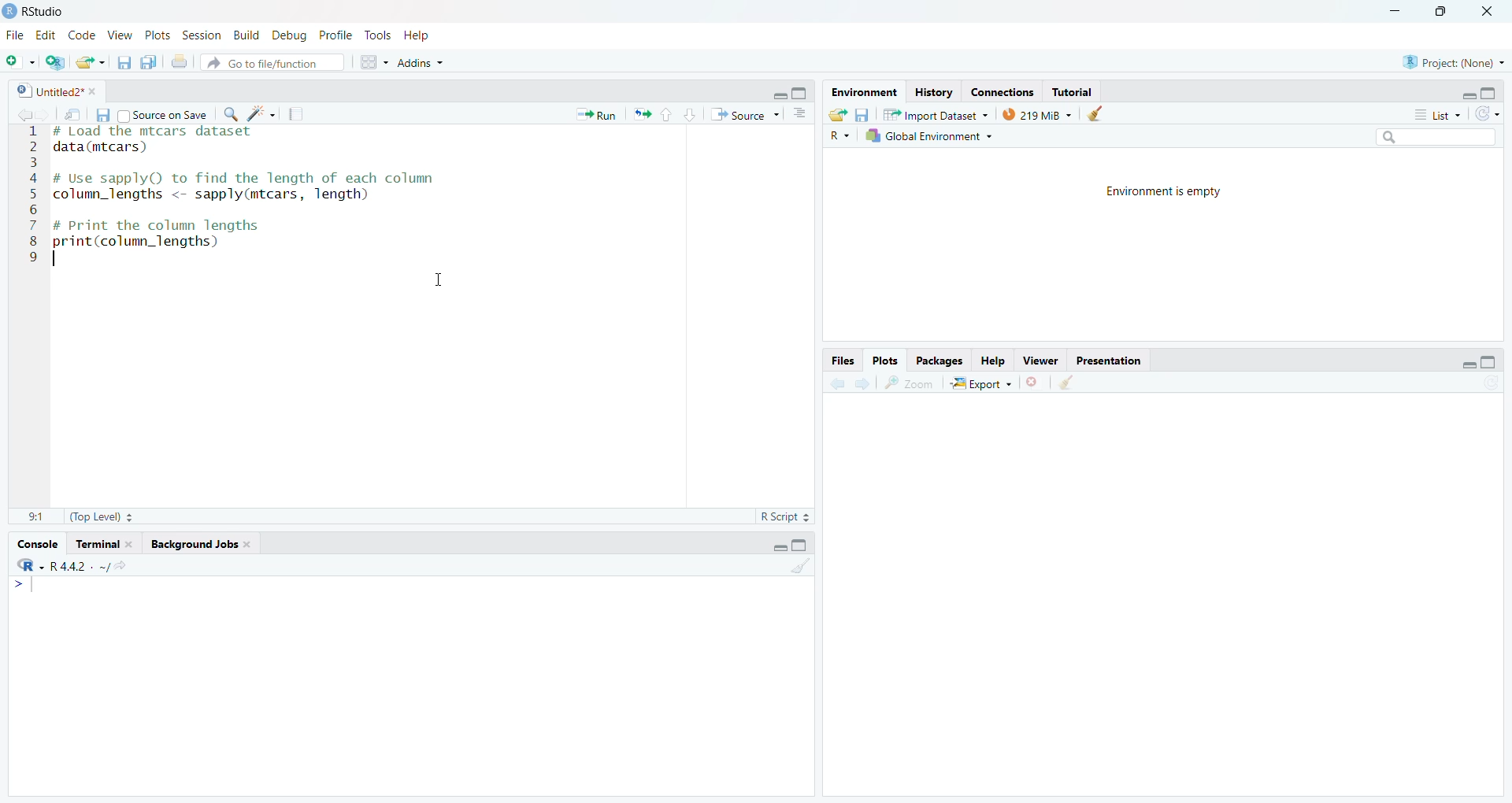 The height and width of the screenshot is (803, 1512). What do you see at coordinates (54, 62) in the screenshot?
I see `Create Project` at bounding box center [54, 62].